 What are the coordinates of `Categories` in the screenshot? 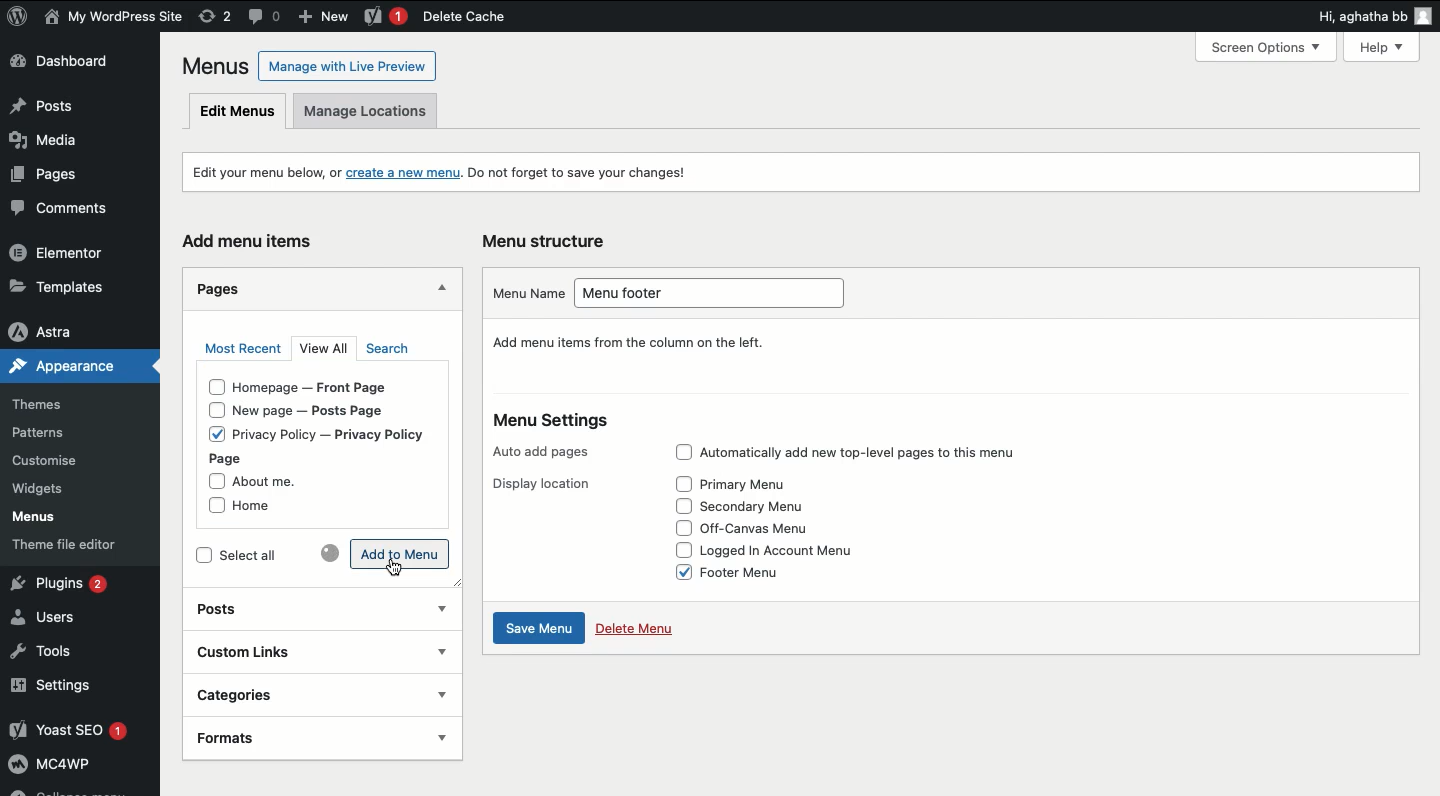 It's located at (291, 693).